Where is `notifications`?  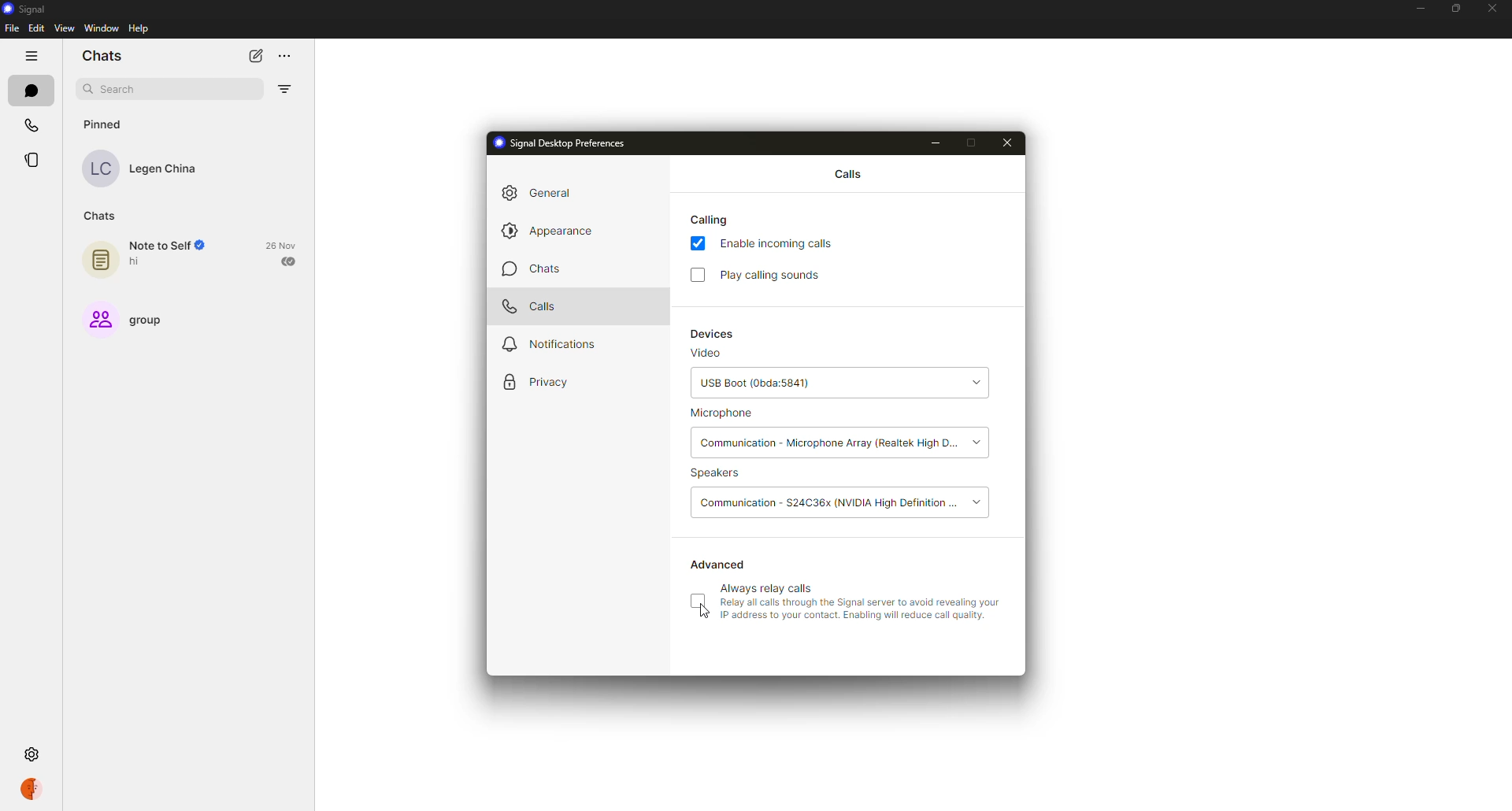 notifications is located at coordinates (545, 345).